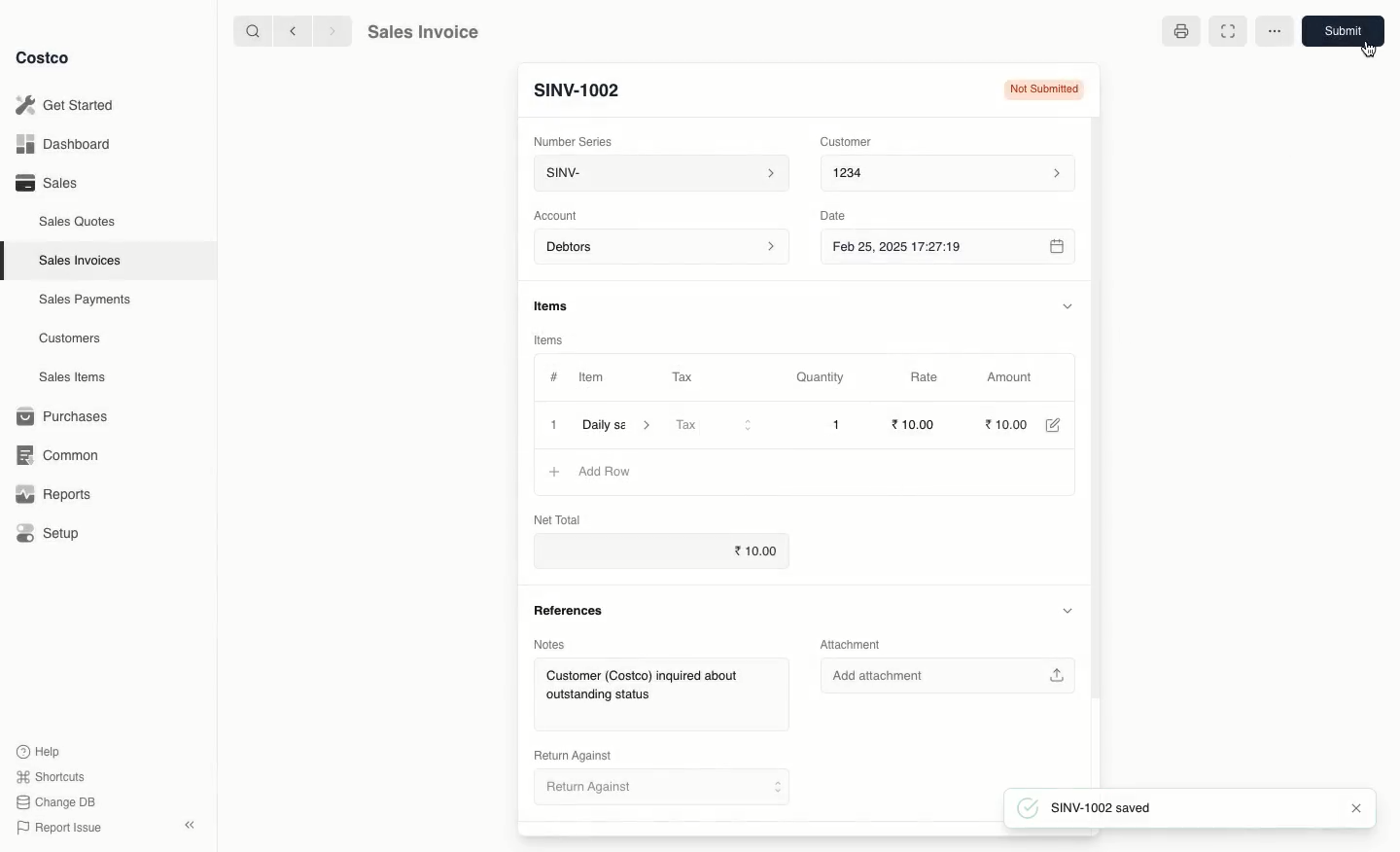 This screenshot has height=852, width=1400. Describe the element at coordinates (1067, 610) in the screenshot. I see `Hide` at that location.